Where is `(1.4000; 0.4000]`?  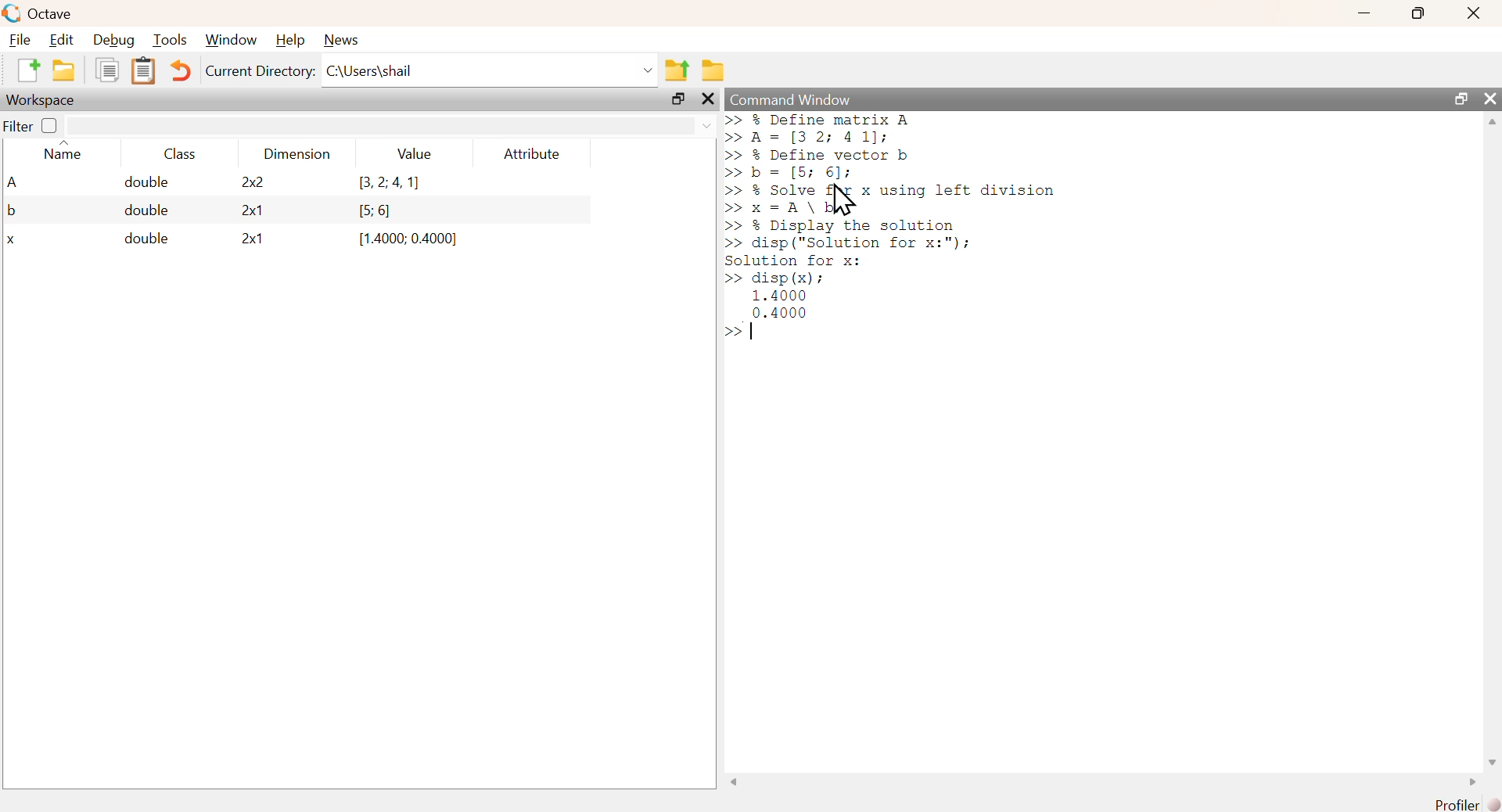
(1.4000; 0.4000] is located at coordinates (401, 240).